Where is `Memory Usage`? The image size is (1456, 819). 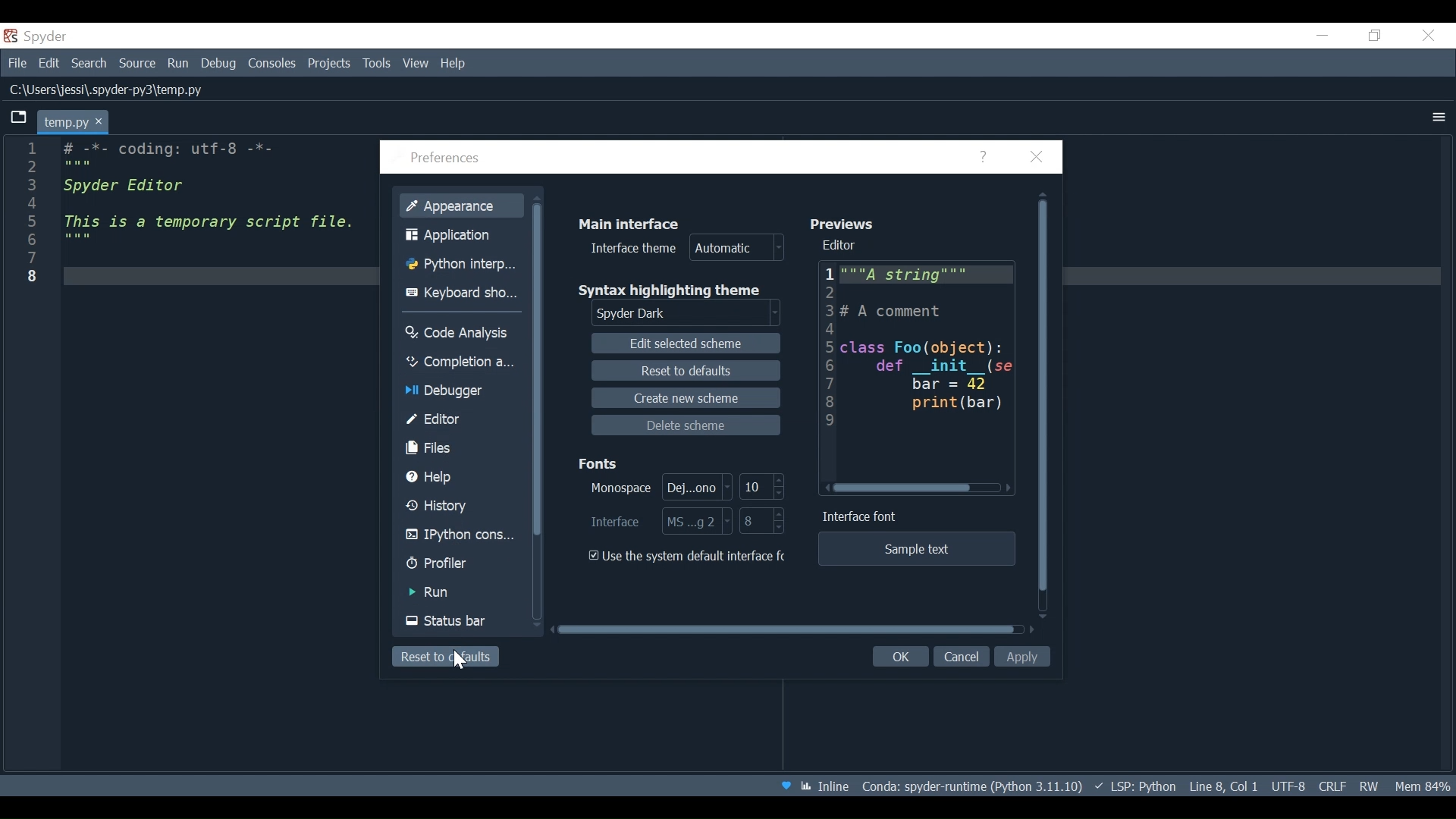
Memory Usage is located at coordinates (1420, 785).